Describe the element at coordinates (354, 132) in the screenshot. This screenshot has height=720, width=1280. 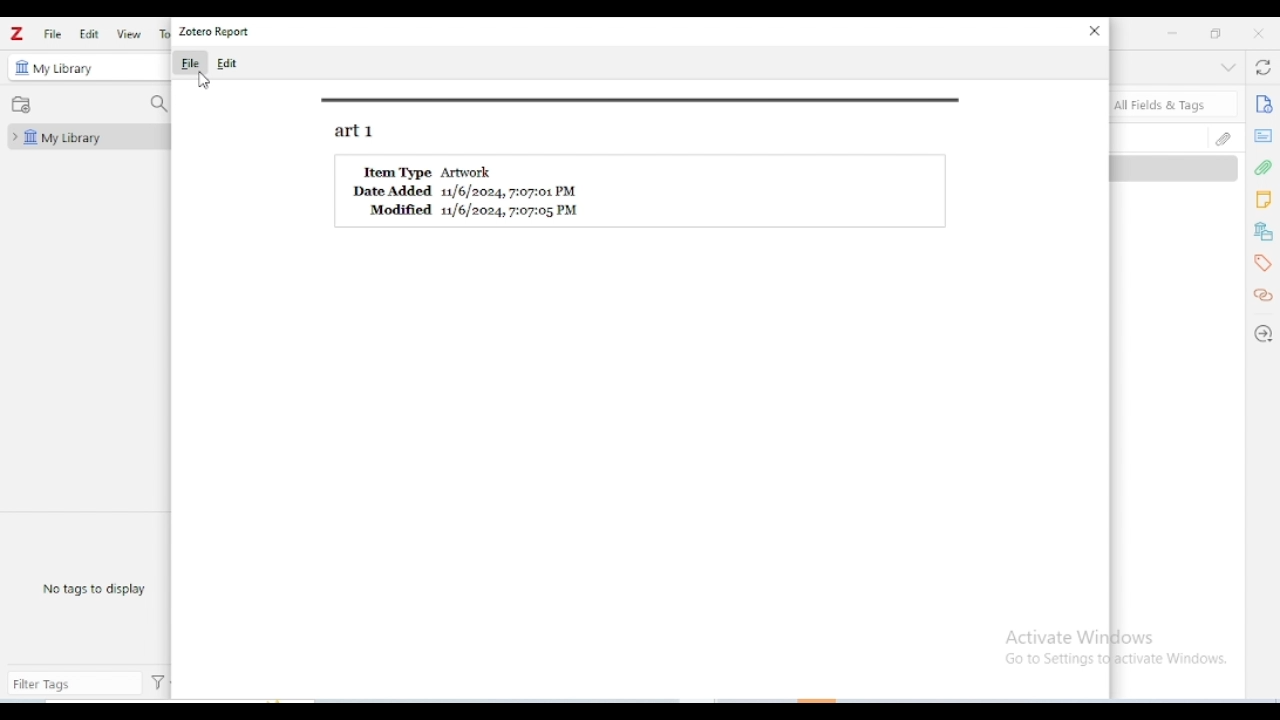
I see `art1` at that location.